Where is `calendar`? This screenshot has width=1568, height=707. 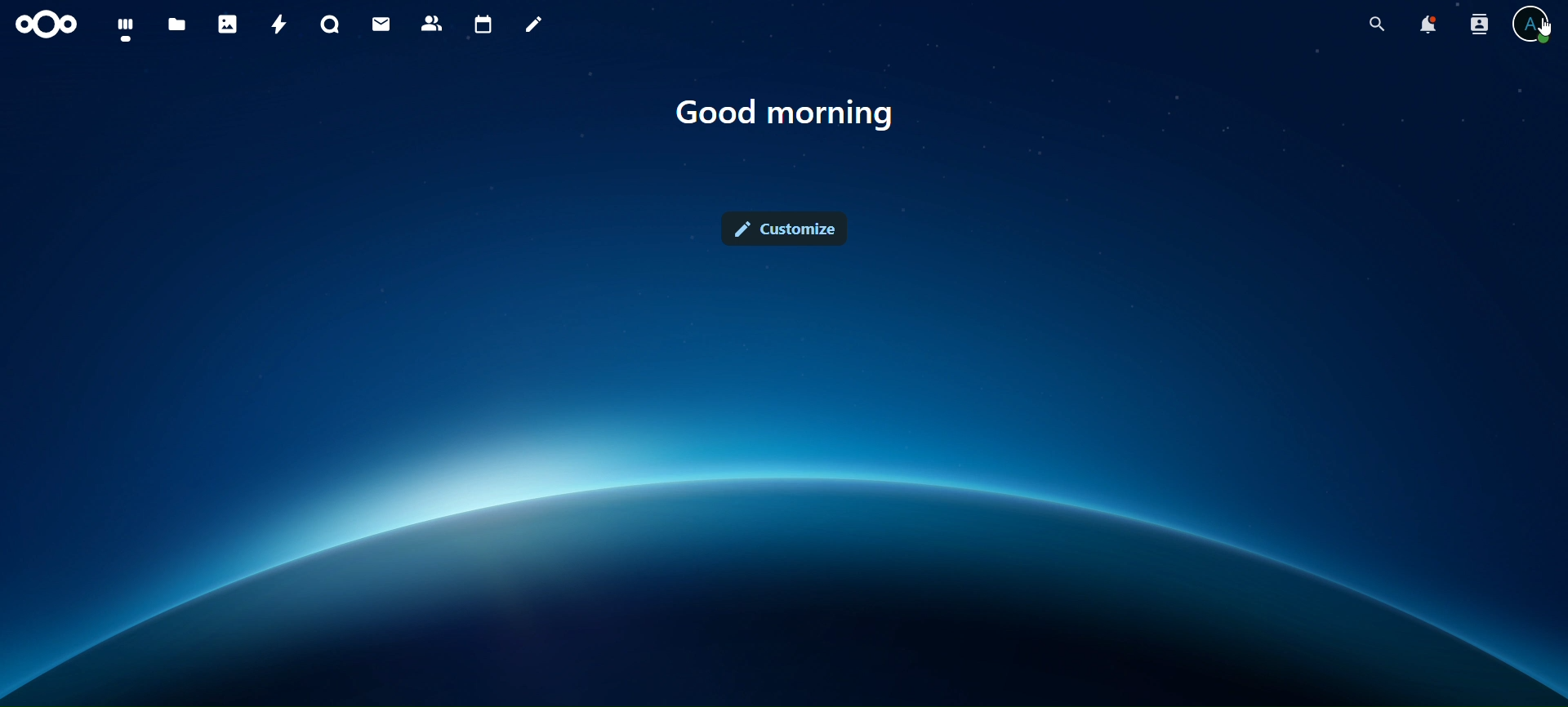 calendar is located at coordinates (483, 23).